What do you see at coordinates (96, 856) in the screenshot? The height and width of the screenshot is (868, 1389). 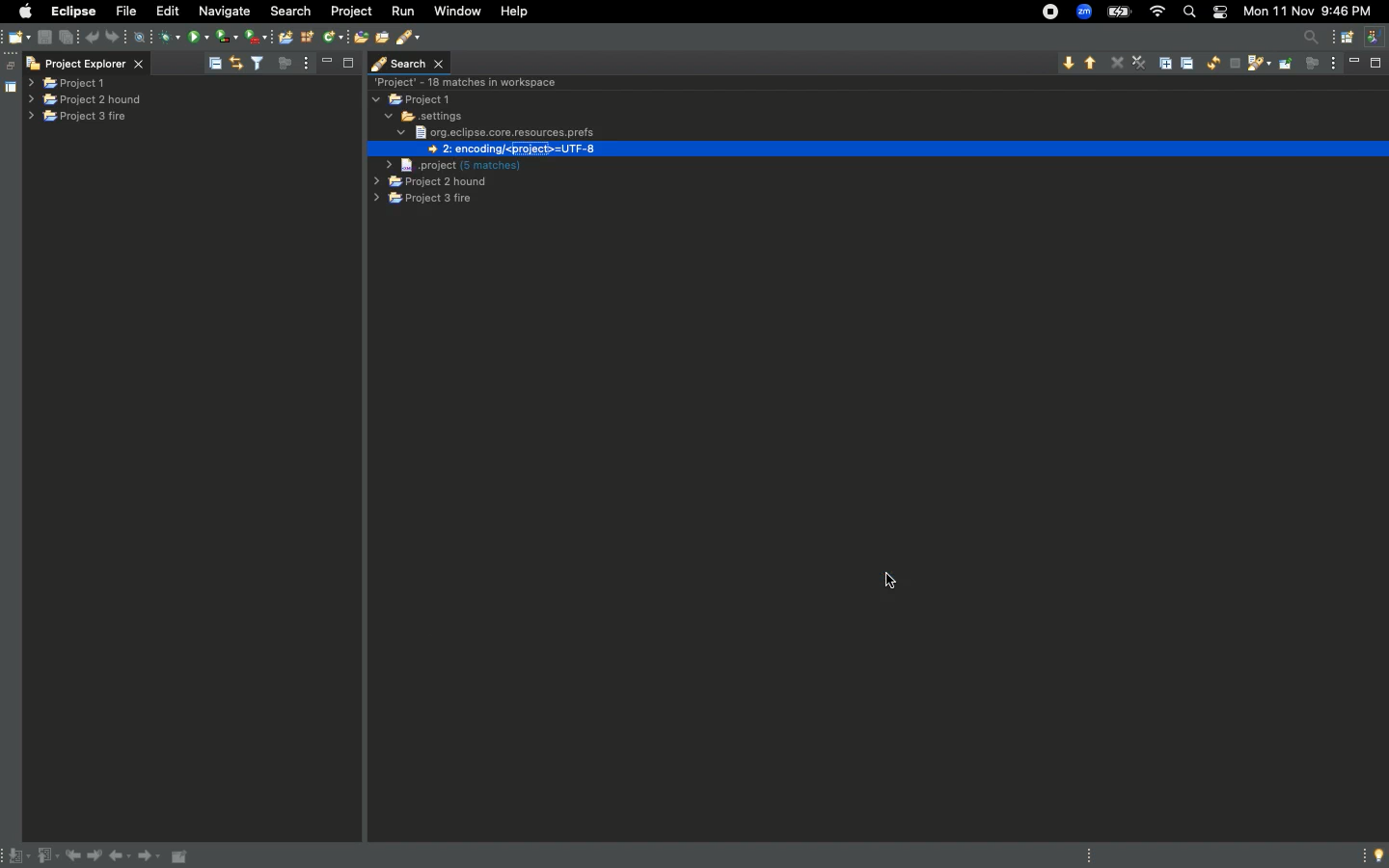 I see `Next edit location` at bounding box center [96, 856].